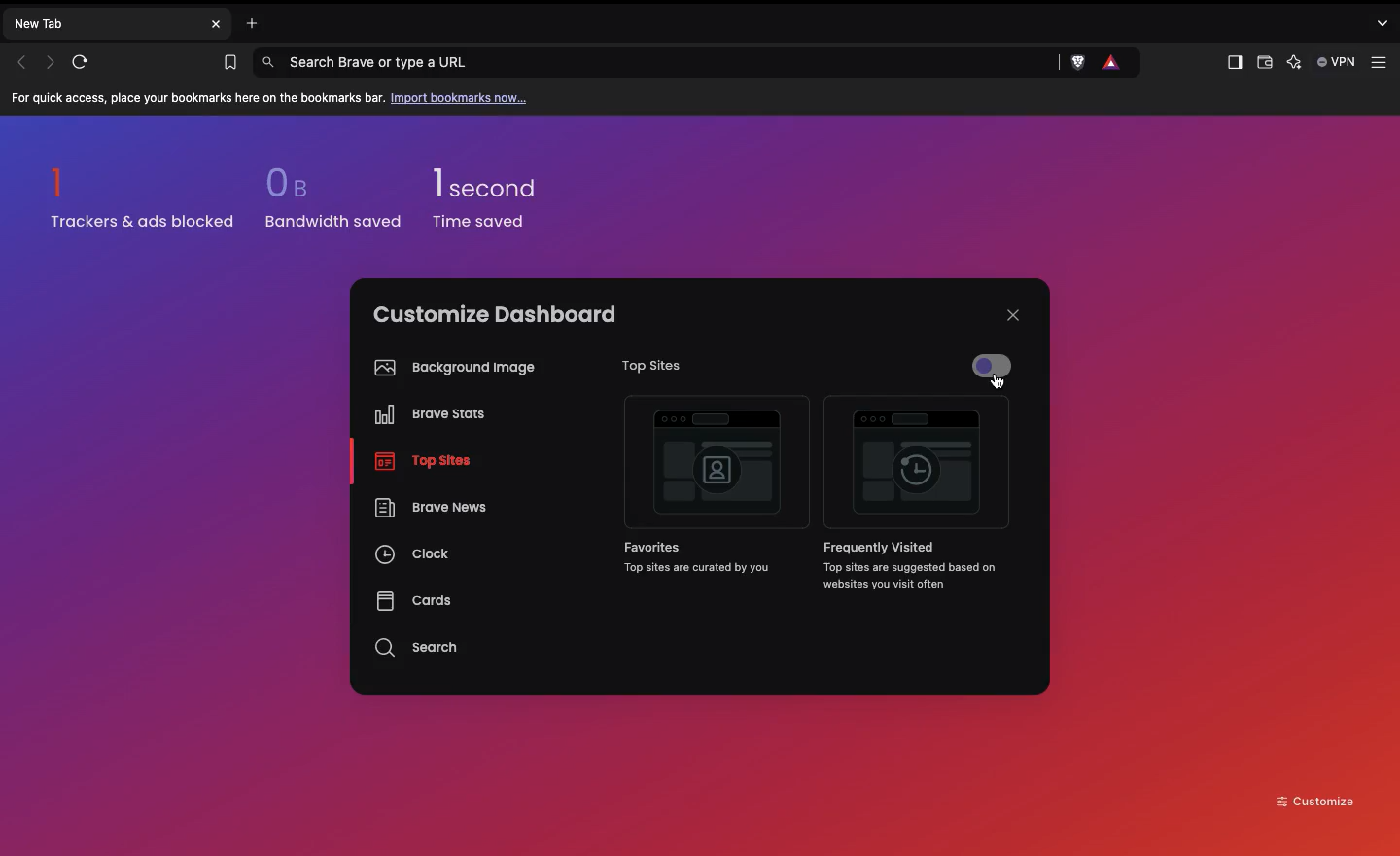 Image resolution: width=1400 pixels, height=856 pixels. I want to click on Open new tab, so click(247, 21).